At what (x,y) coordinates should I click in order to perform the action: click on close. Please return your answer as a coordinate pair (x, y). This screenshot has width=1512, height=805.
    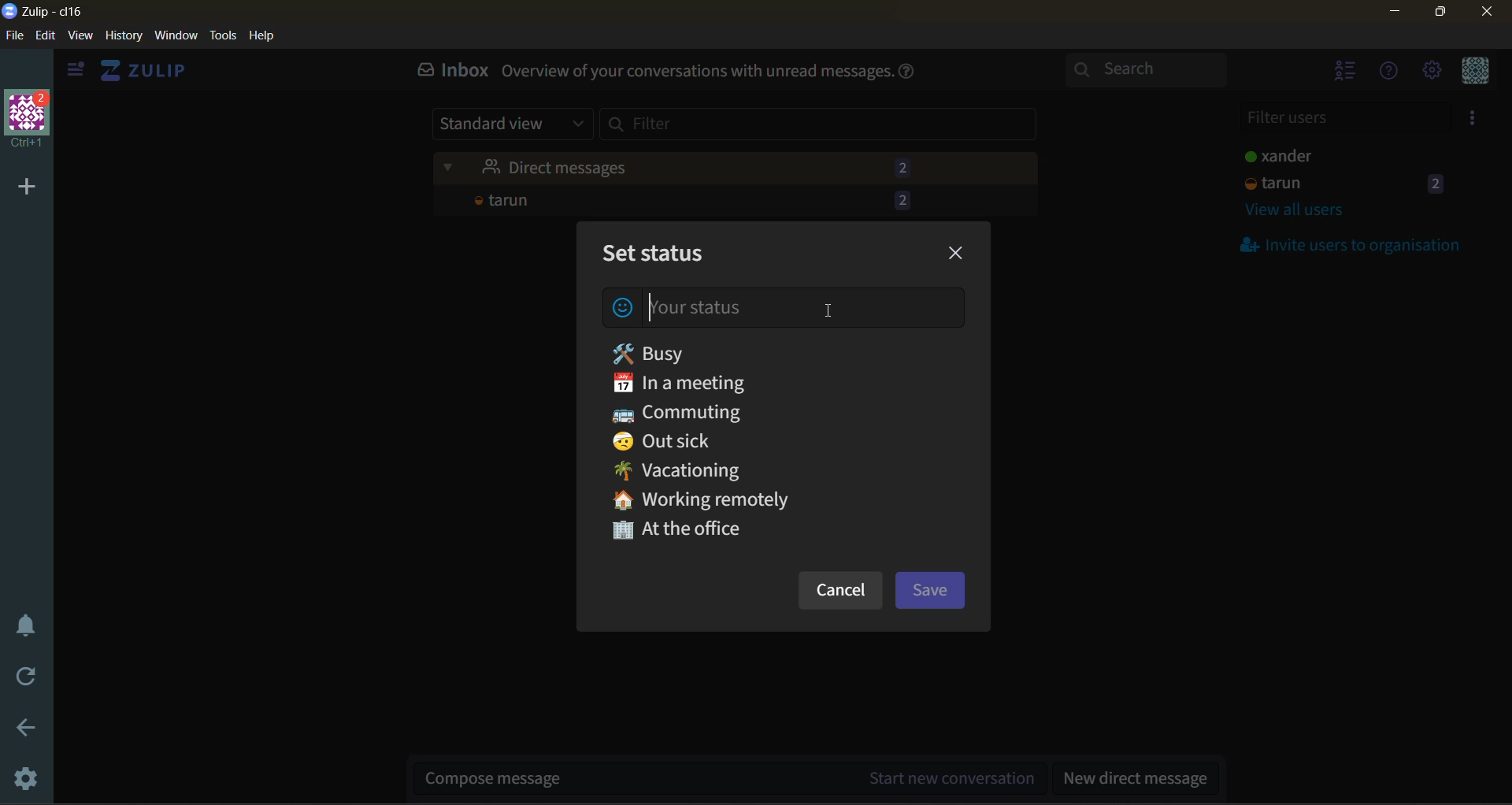
    Looking at the image, I should click on (962, 250).